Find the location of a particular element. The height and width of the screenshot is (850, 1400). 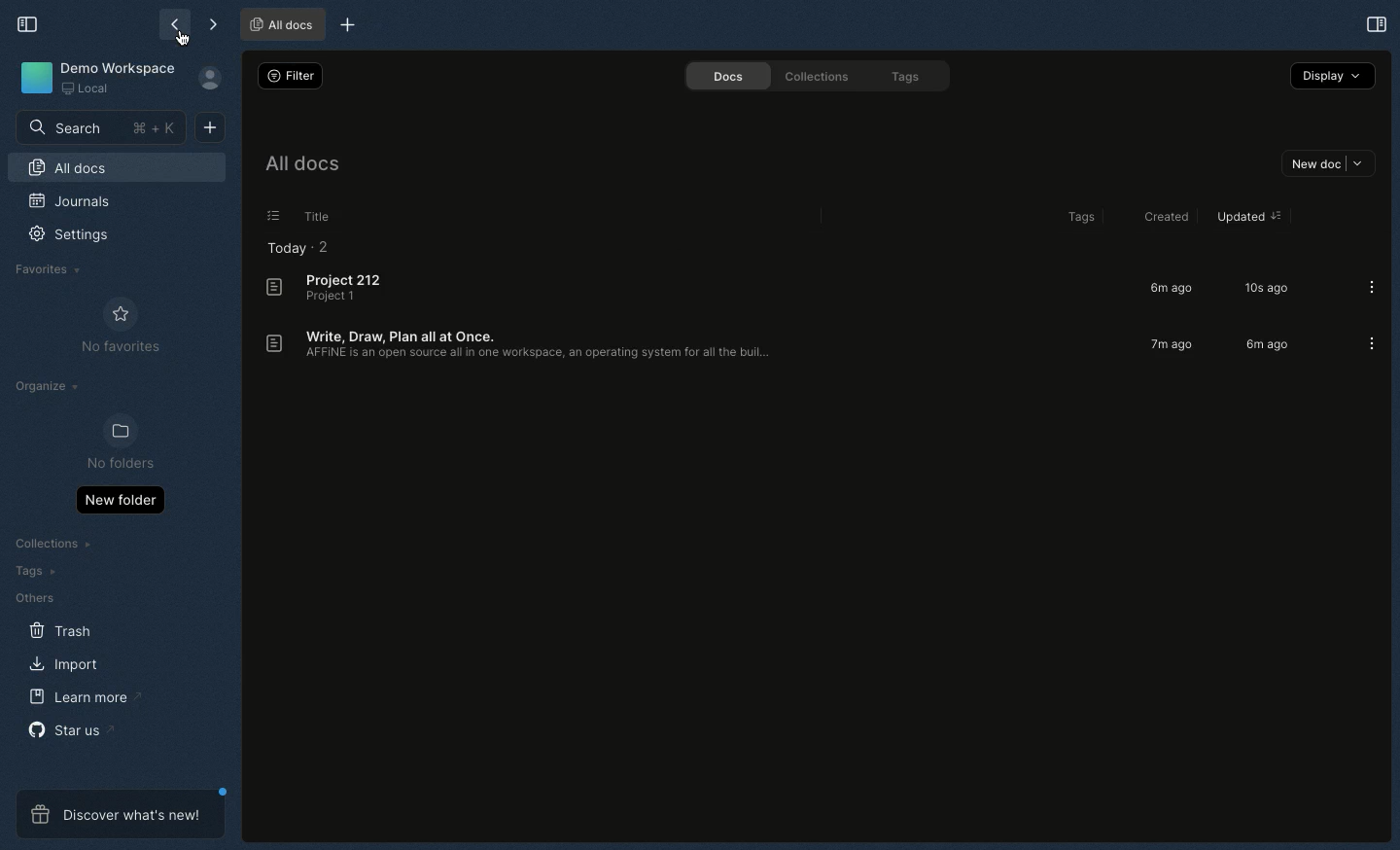

Write, Draw, Plan all at Once.
AFFINE is an open source all in one workspace, an operating system for al the buil is located at coordinates (534, 347).